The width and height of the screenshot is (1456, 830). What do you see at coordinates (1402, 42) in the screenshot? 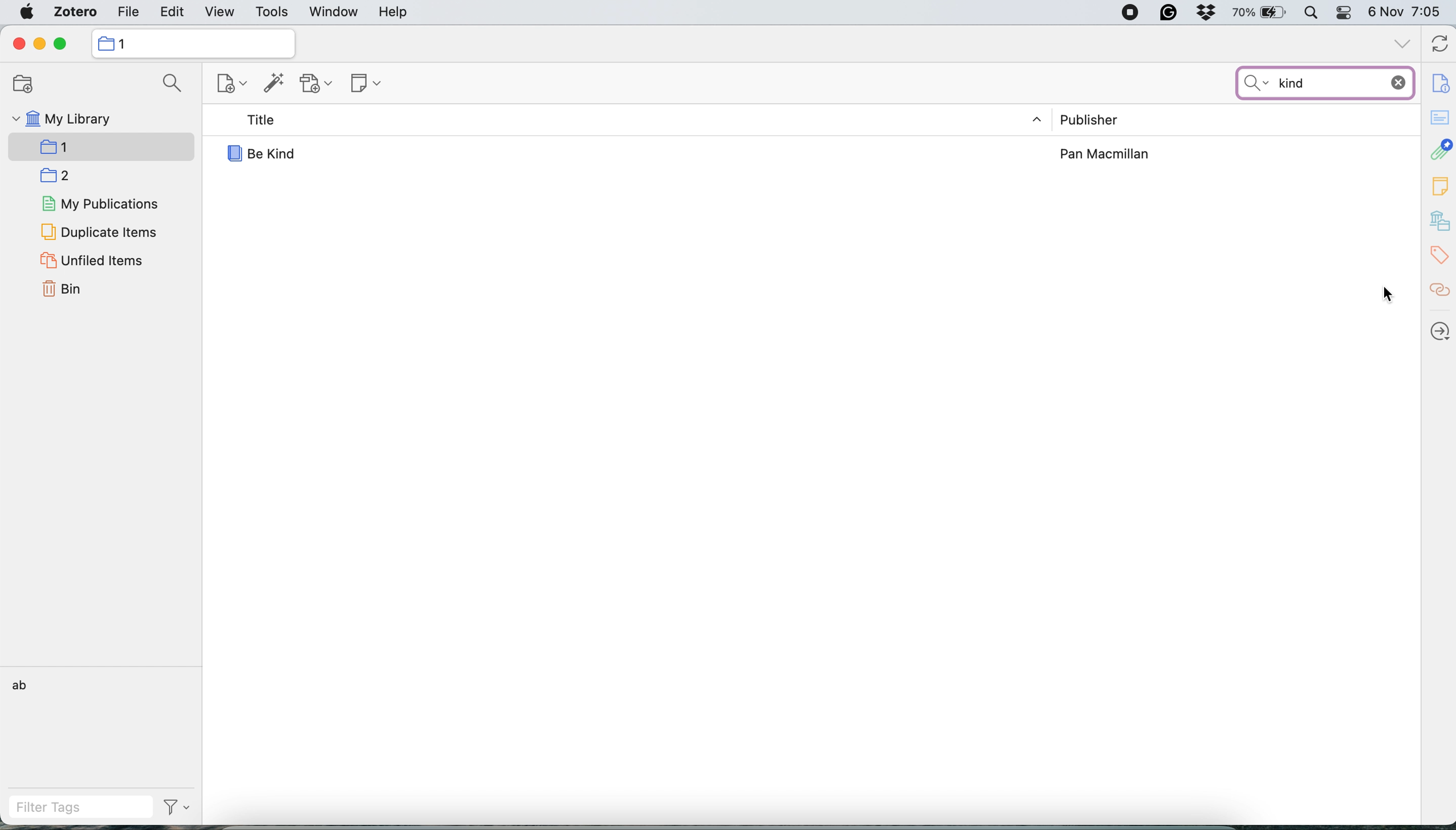
I see `collapse all tabs` at bounding box center [1402, 42].